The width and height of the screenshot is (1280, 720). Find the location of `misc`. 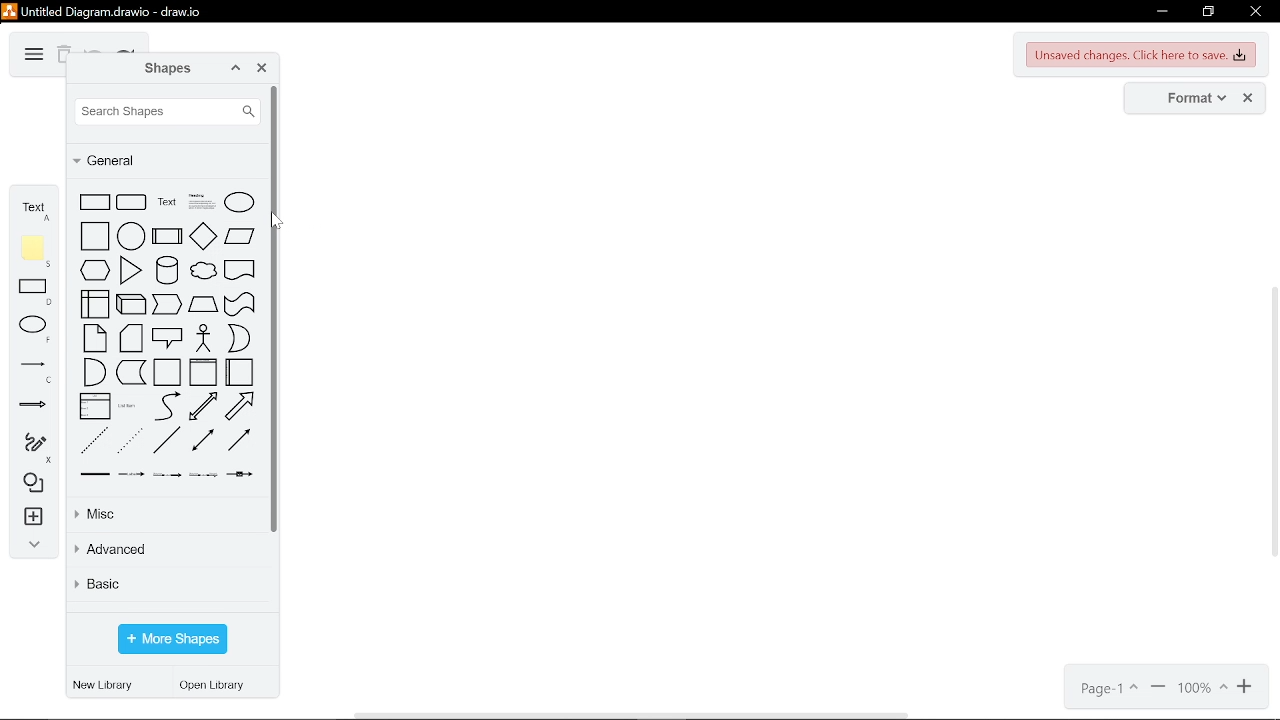

misc is located at coordinates (162, 514).